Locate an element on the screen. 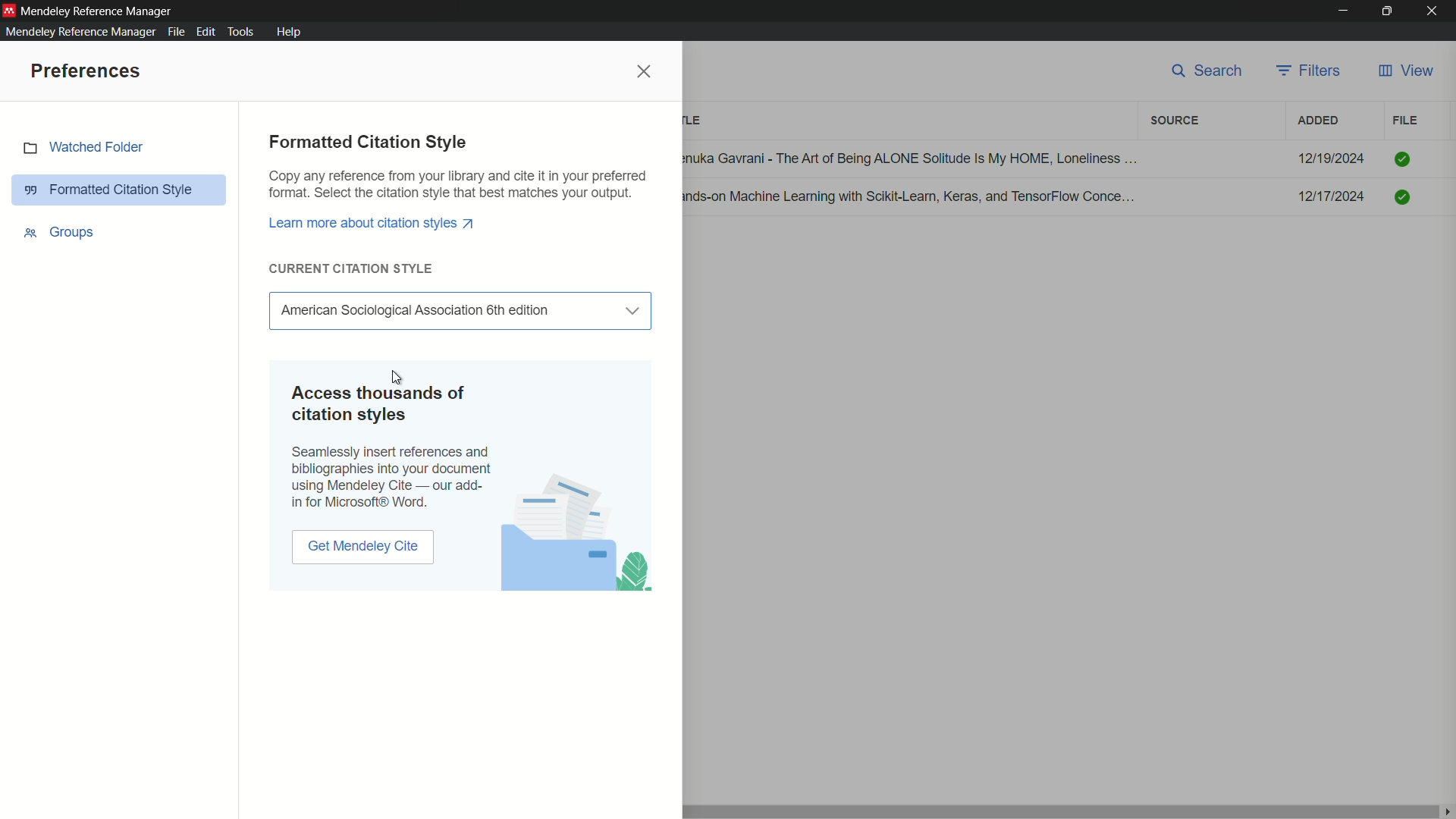 The image size is (1456, 819). current citation style is located at coordinates (352, 268).